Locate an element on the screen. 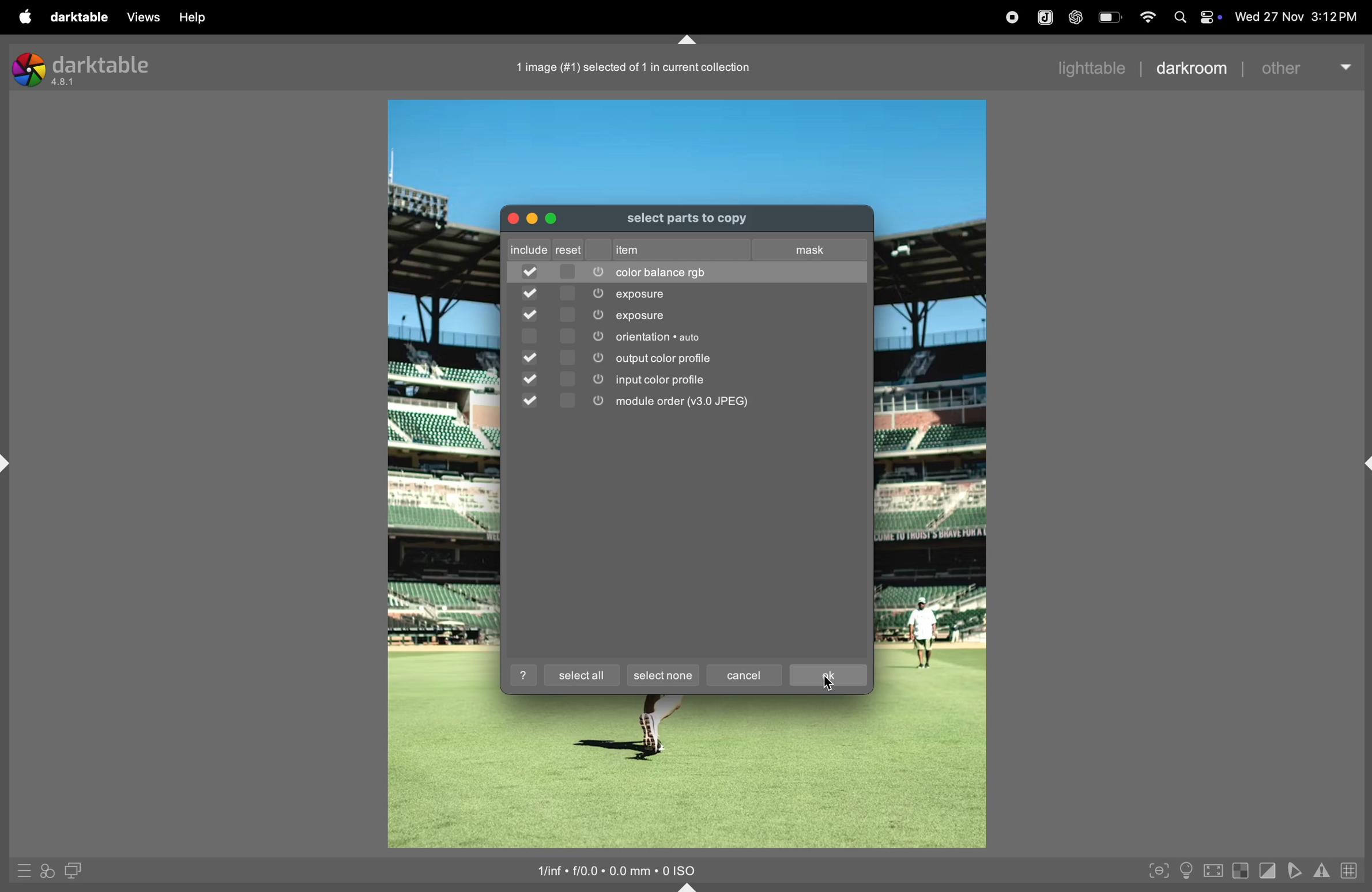 The height and width of the screenshot is (892, 1372). record is located at coordinates (1013, 18).